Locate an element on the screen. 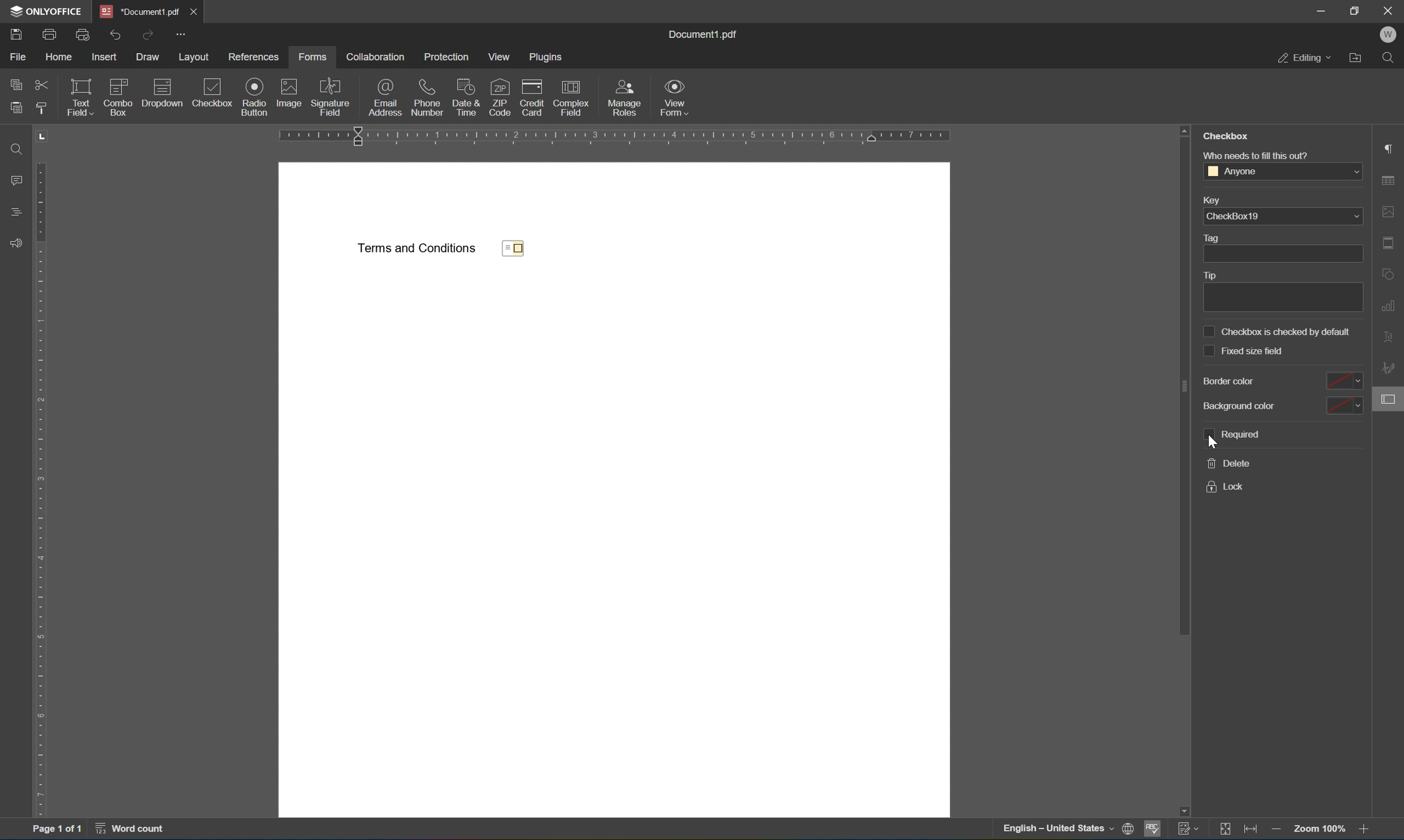  lock is located at coordinates (1228, 488).